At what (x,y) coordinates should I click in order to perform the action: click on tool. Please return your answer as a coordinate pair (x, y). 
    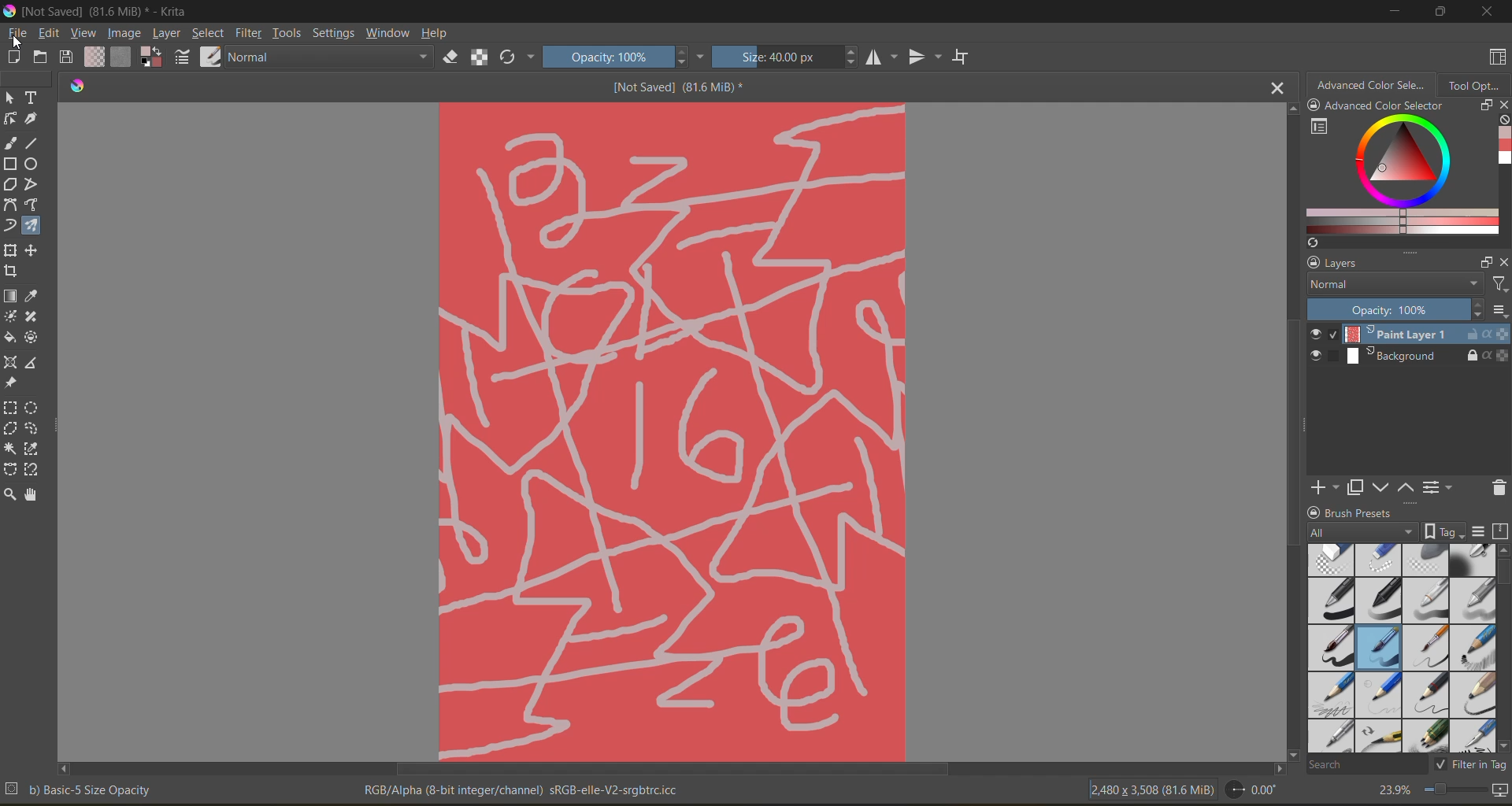
    Looking at the image, I should click on (9, 449).